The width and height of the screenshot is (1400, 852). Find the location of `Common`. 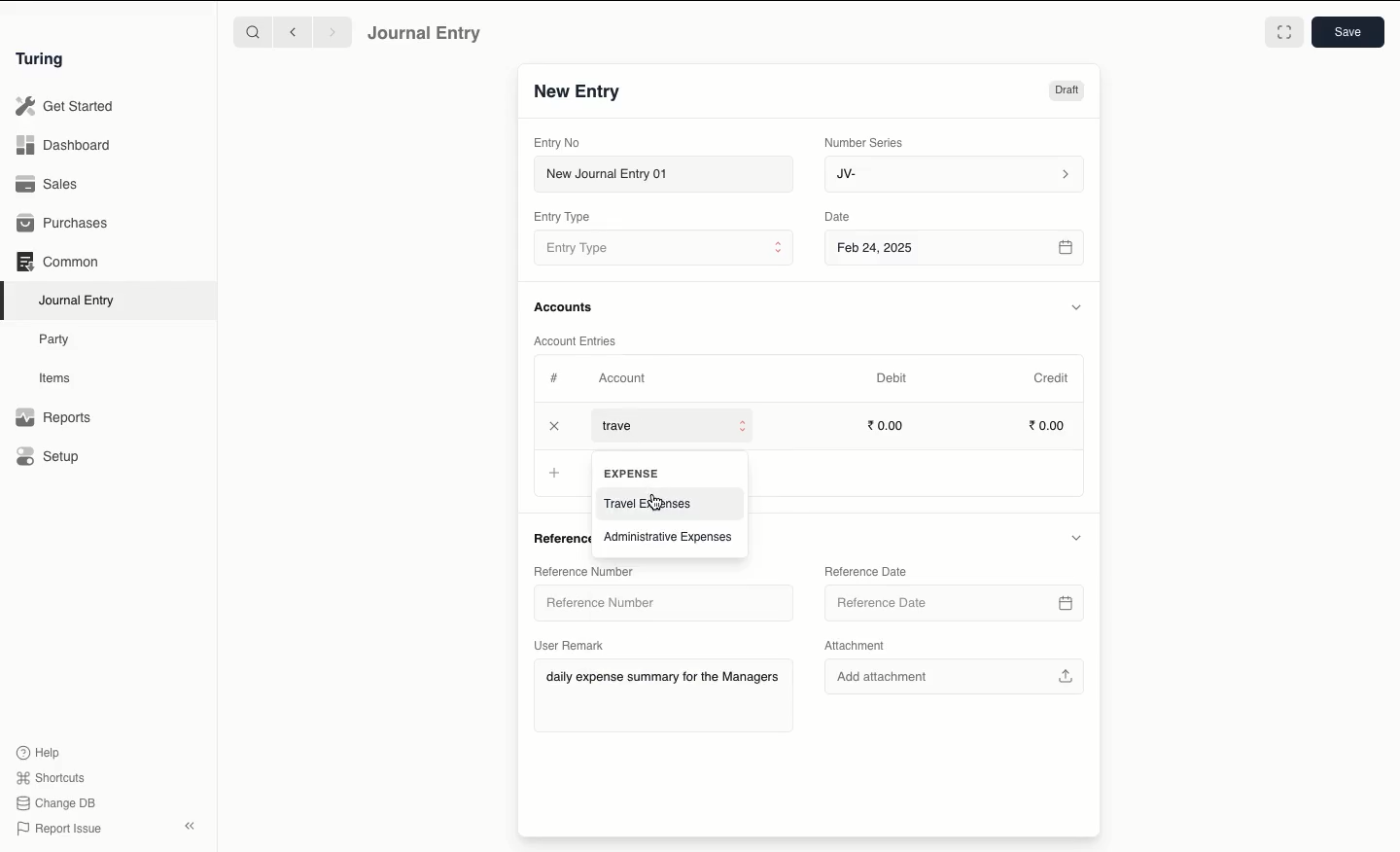

Common is located at coordinates (59, 262).